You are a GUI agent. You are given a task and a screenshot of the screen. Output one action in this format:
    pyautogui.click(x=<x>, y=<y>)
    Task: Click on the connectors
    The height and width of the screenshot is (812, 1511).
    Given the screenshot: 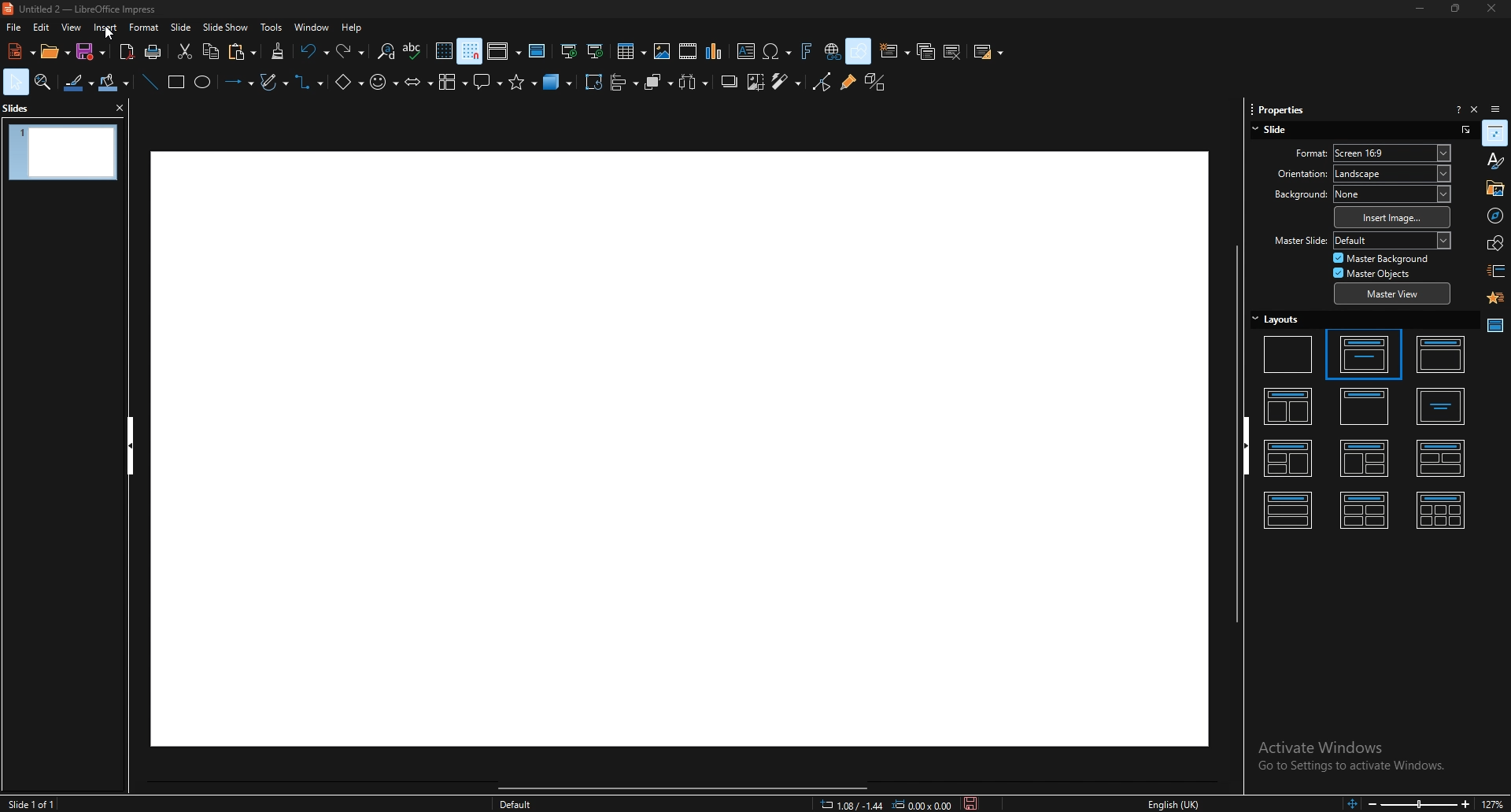 What is the action you would take?
    pyautogui.click(x=312, y=83)
    